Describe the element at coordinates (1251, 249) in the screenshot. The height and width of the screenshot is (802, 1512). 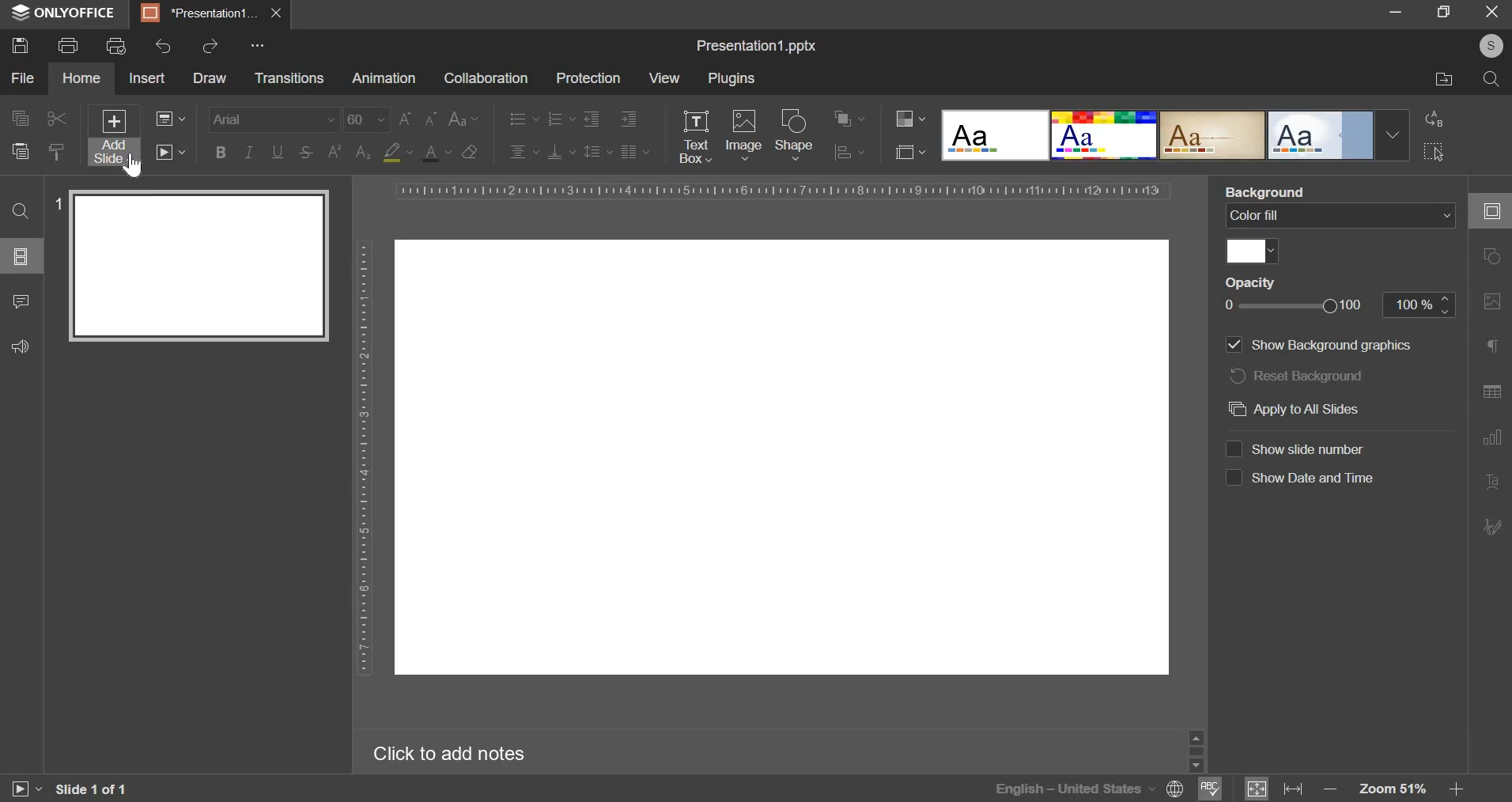
I see `color fill` at that location.